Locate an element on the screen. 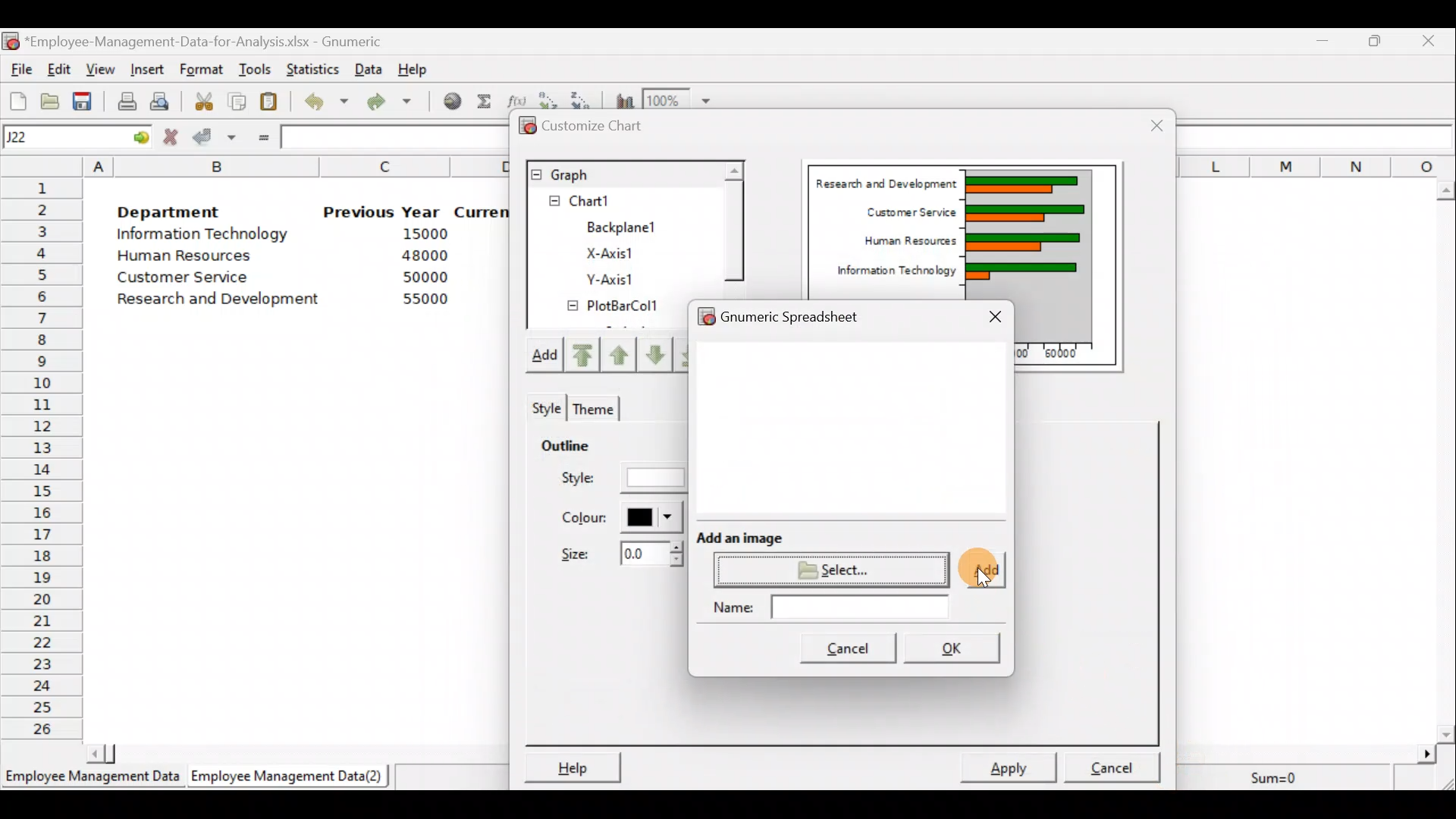 The height and width of the screenshot is (819, 1456). 15000 is located at coordinates (420, 237).